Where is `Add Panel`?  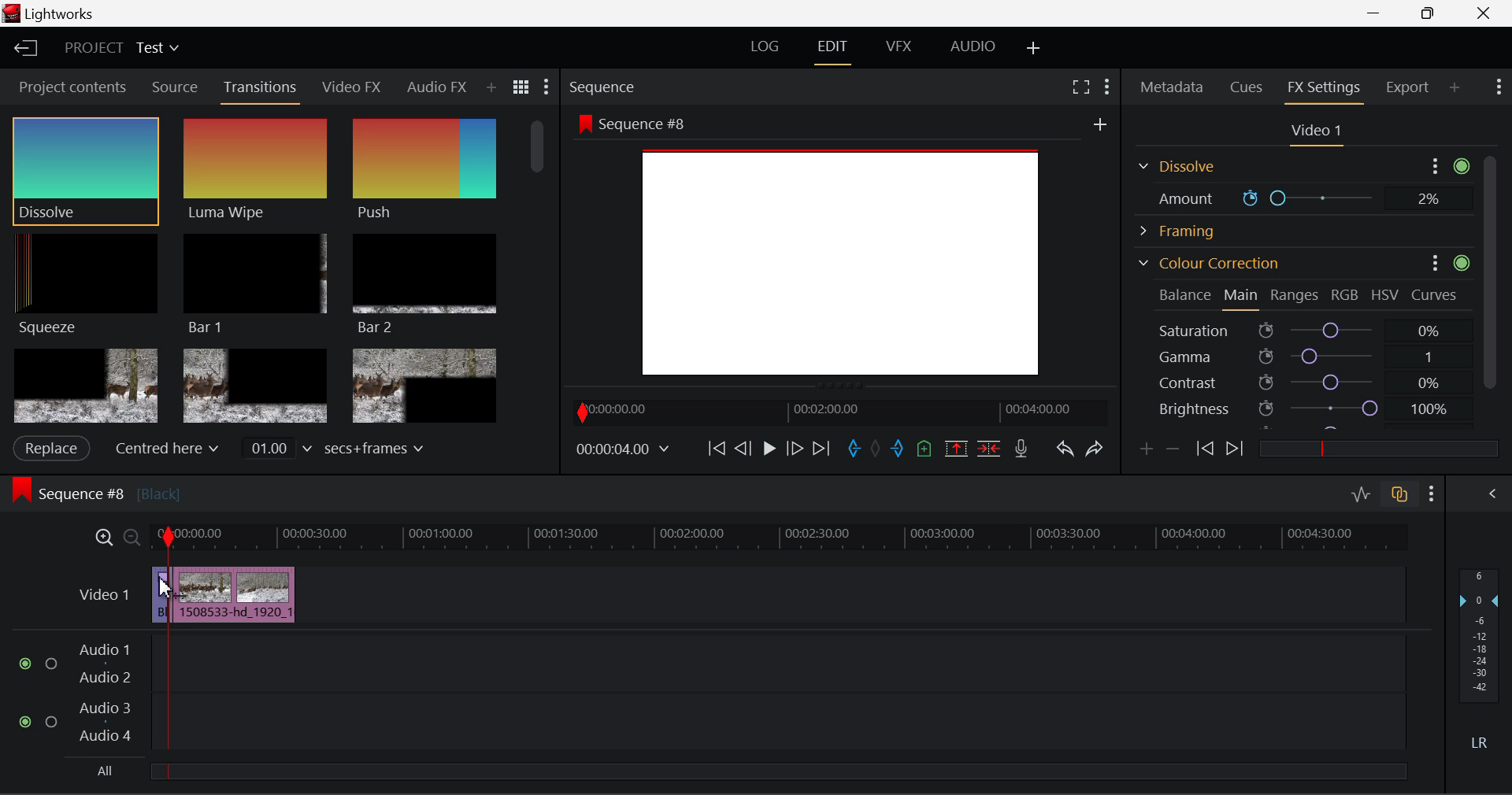 Add Panel is located at coordinates (1455, 87).